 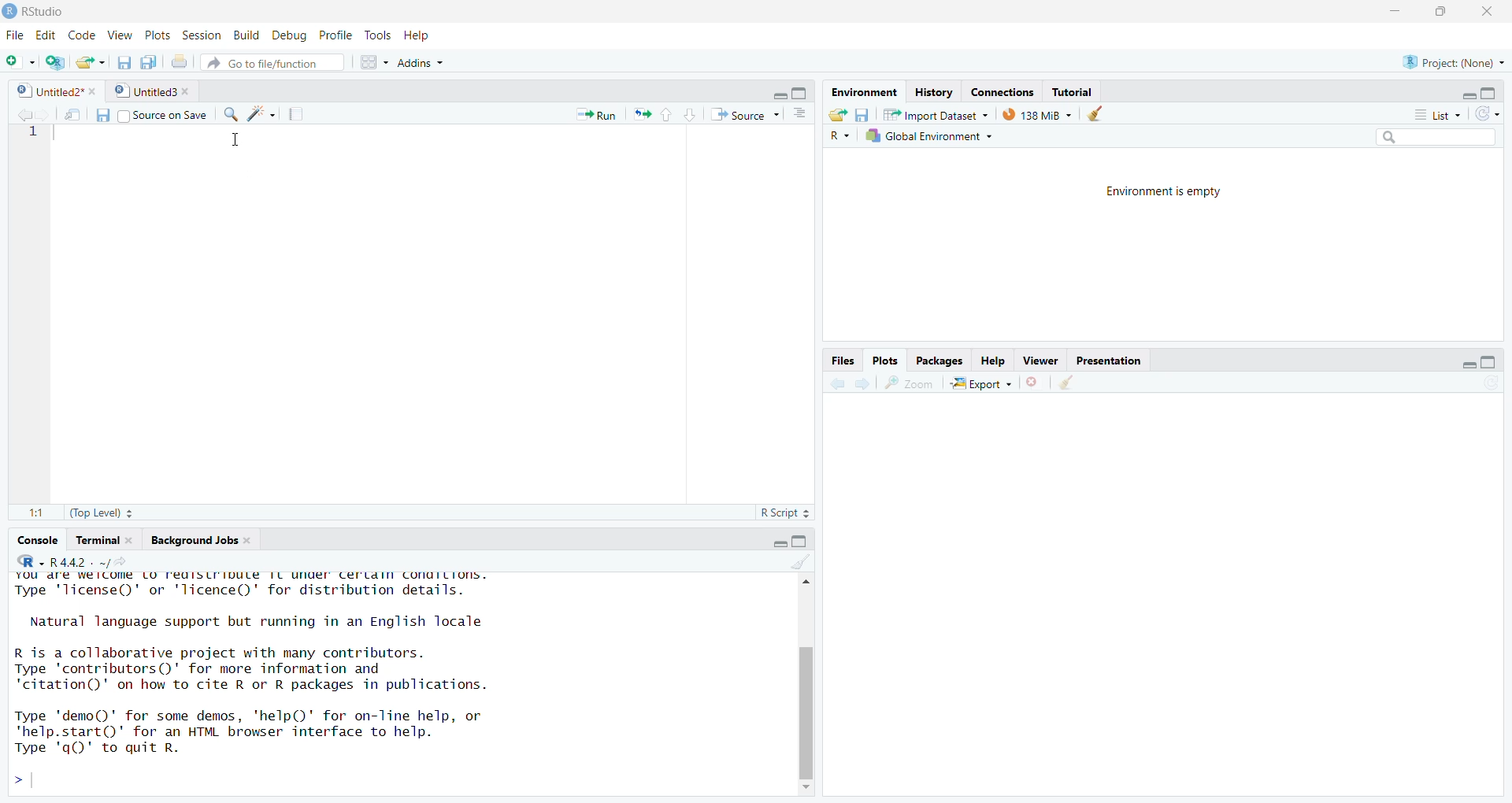 I want to click on Code, so click(x=81, y=35).